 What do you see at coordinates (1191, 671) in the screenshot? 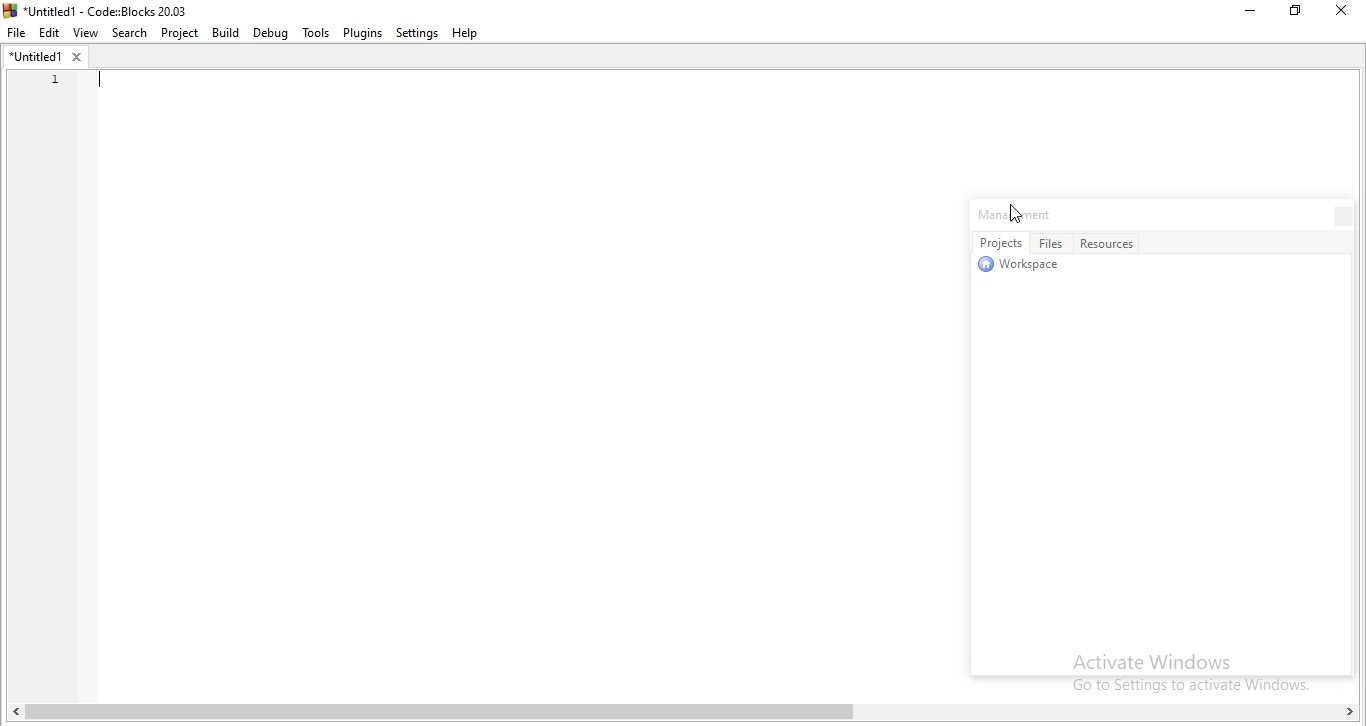
I see `Activate Windows
C510 Senge 10 activate Windows™` at bounding box center [1191, 671].